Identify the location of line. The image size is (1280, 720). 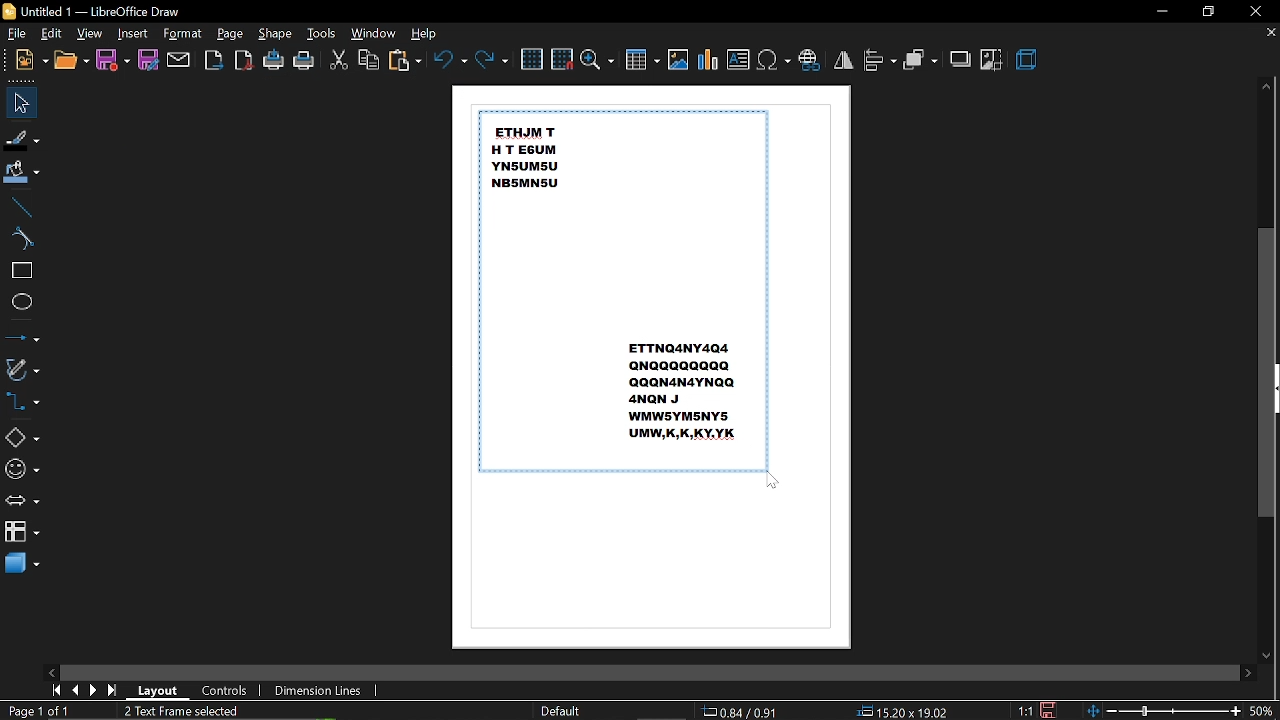
(21, 205).